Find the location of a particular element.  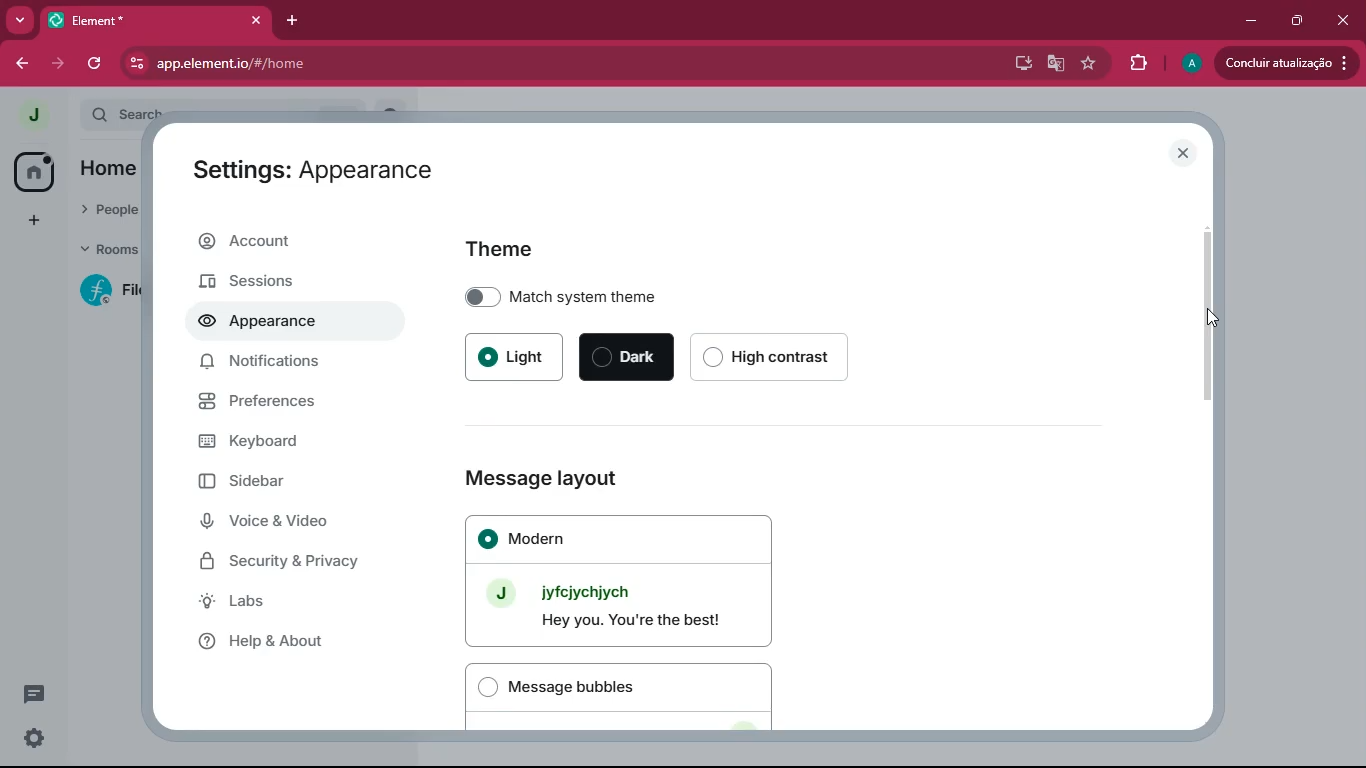

Cursor is located at coordinates (1208, 318).